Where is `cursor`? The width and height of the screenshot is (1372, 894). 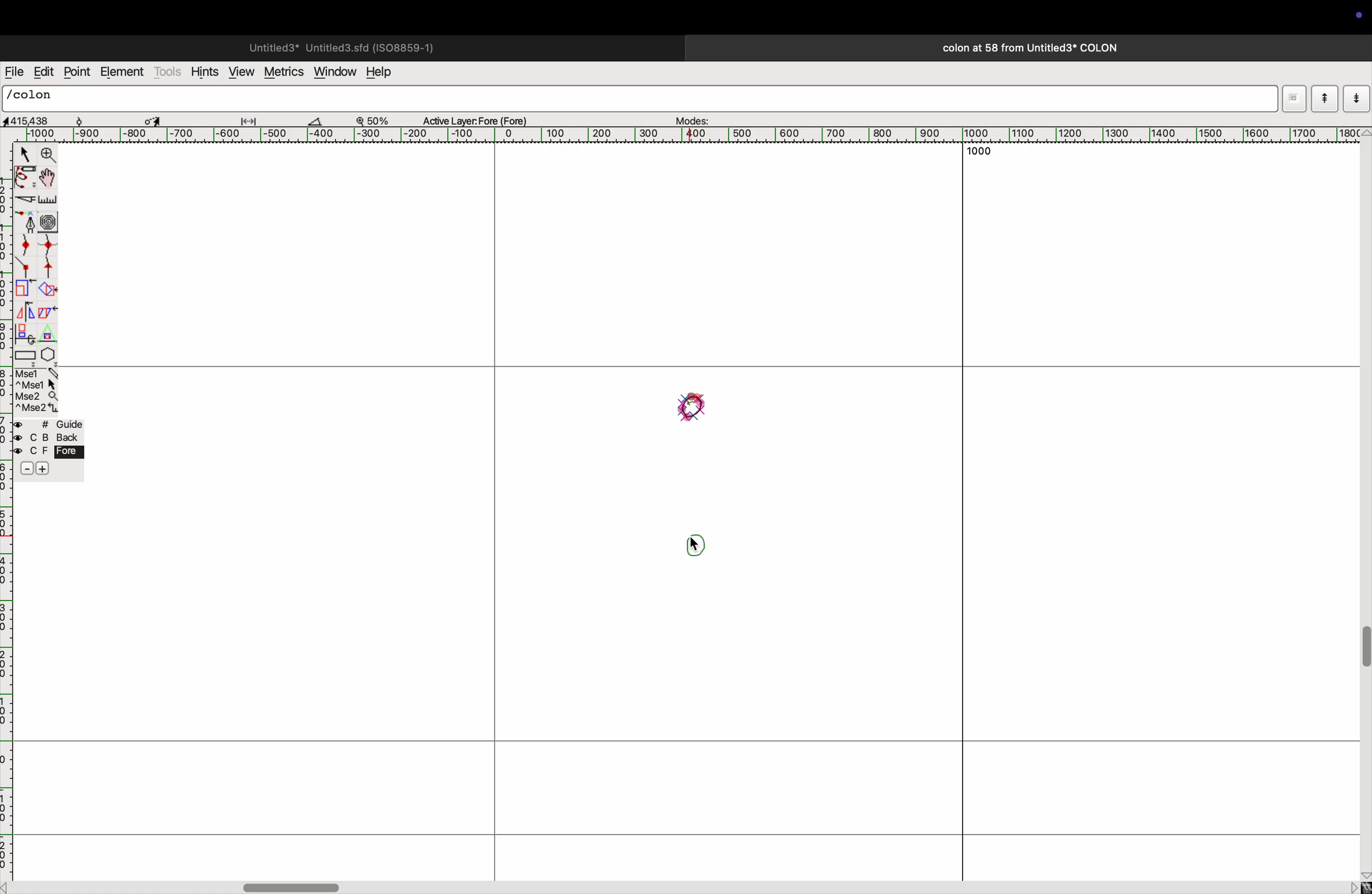
cursor is located at coordinates (696, 544).